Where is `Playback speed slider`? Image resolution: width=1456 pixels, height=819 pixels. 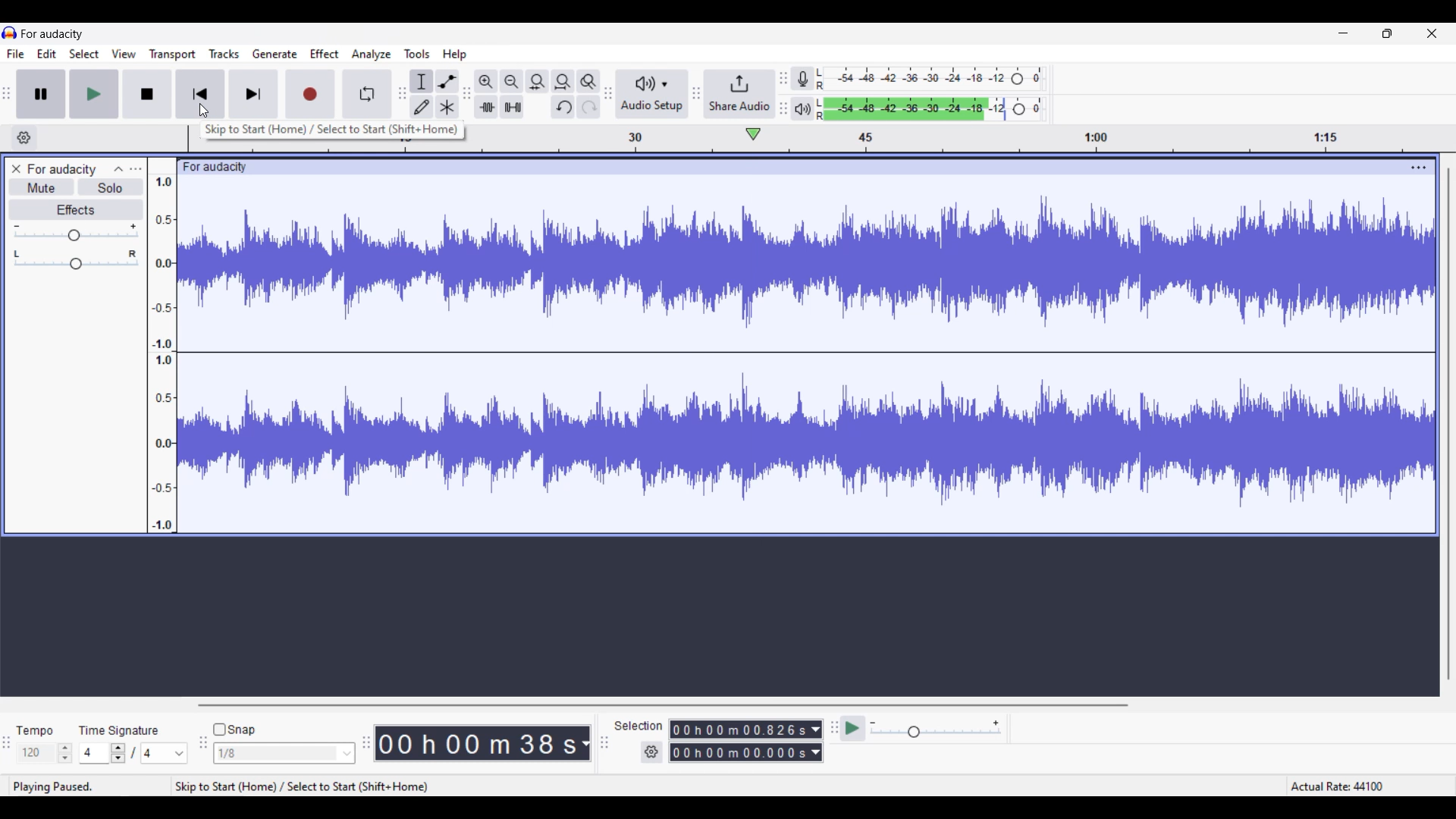
Playback speed slider is located at coordinates (935, 730).